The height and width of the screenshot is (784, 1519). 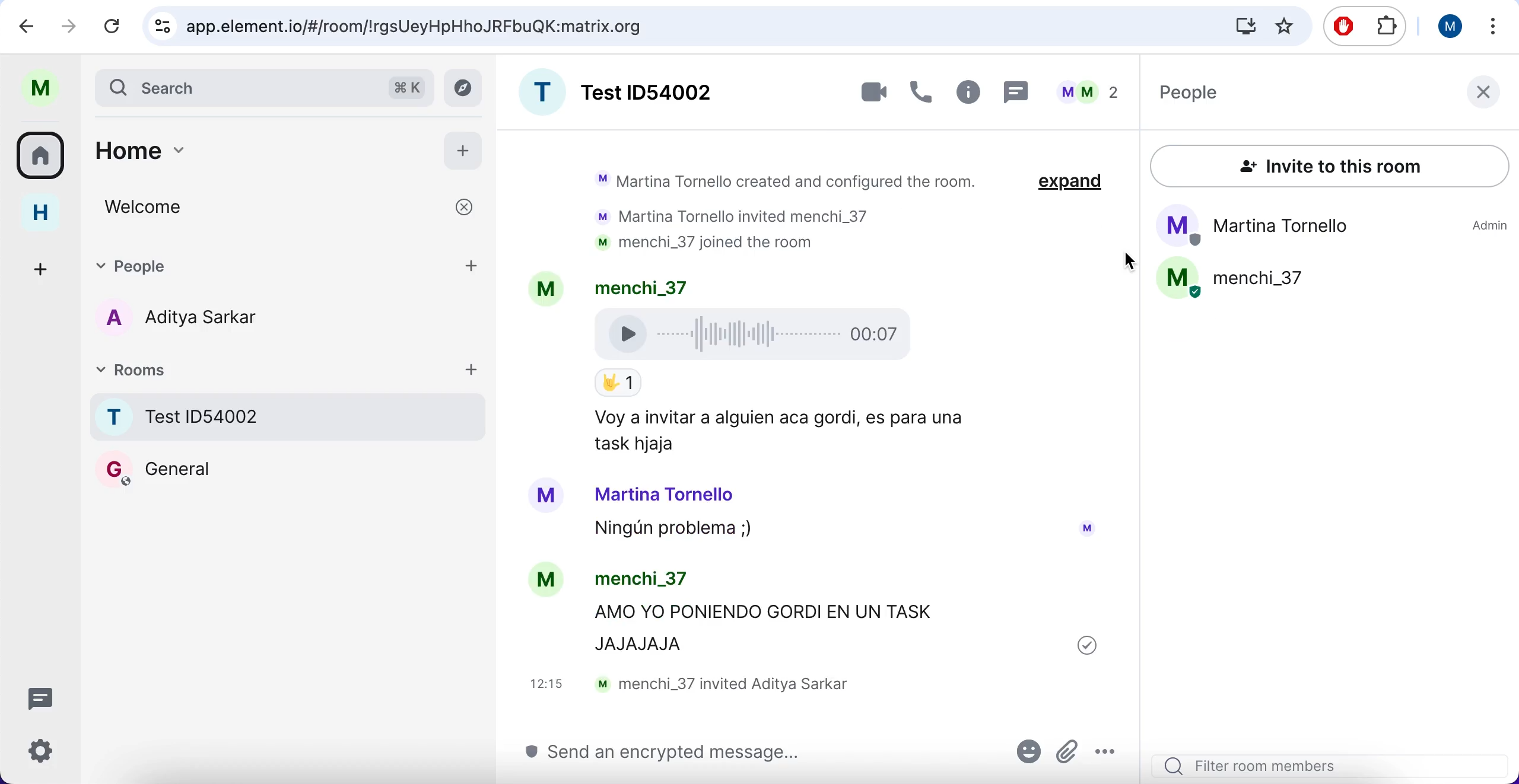 I want to click on Avatar, so click(x=549, y=580).